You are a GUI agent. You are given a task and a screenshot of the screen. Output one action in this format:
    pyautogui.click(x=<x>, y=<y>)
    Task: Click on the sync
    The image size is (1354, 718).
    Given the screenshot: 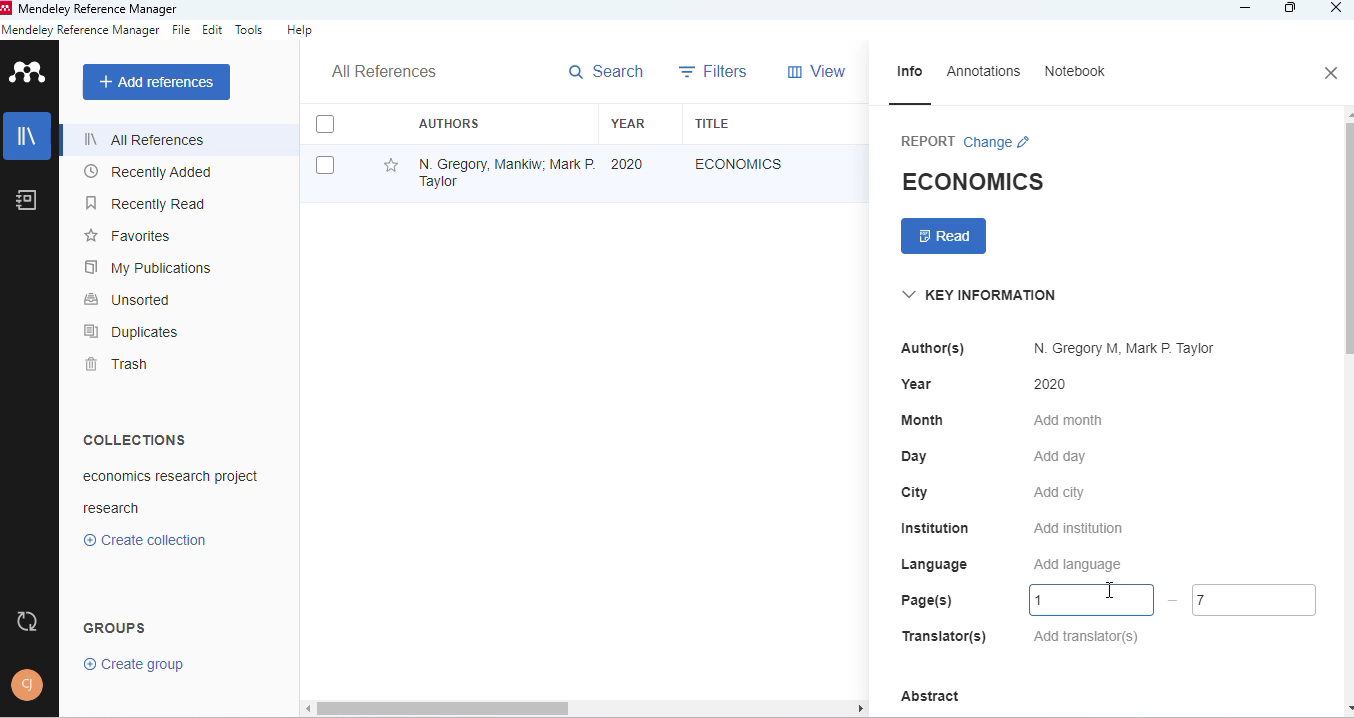 What is the action you would take?
    pyautogui.click(x=25, y=621)
    